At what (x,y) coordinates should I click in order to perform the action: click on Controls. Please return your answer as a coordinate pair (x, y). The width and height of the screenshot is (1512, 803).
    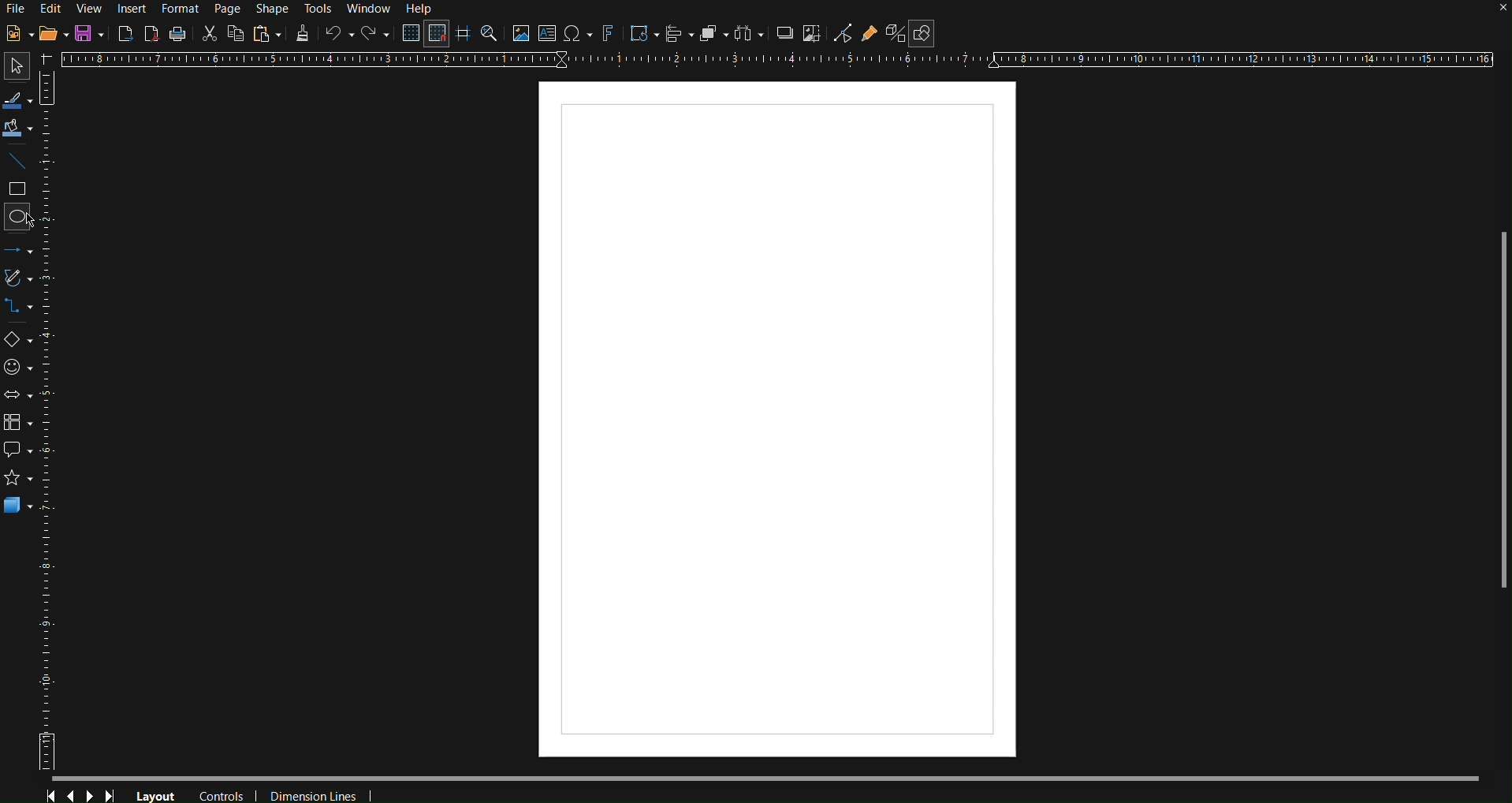
    Looking at the image, I should click on (225, 794).